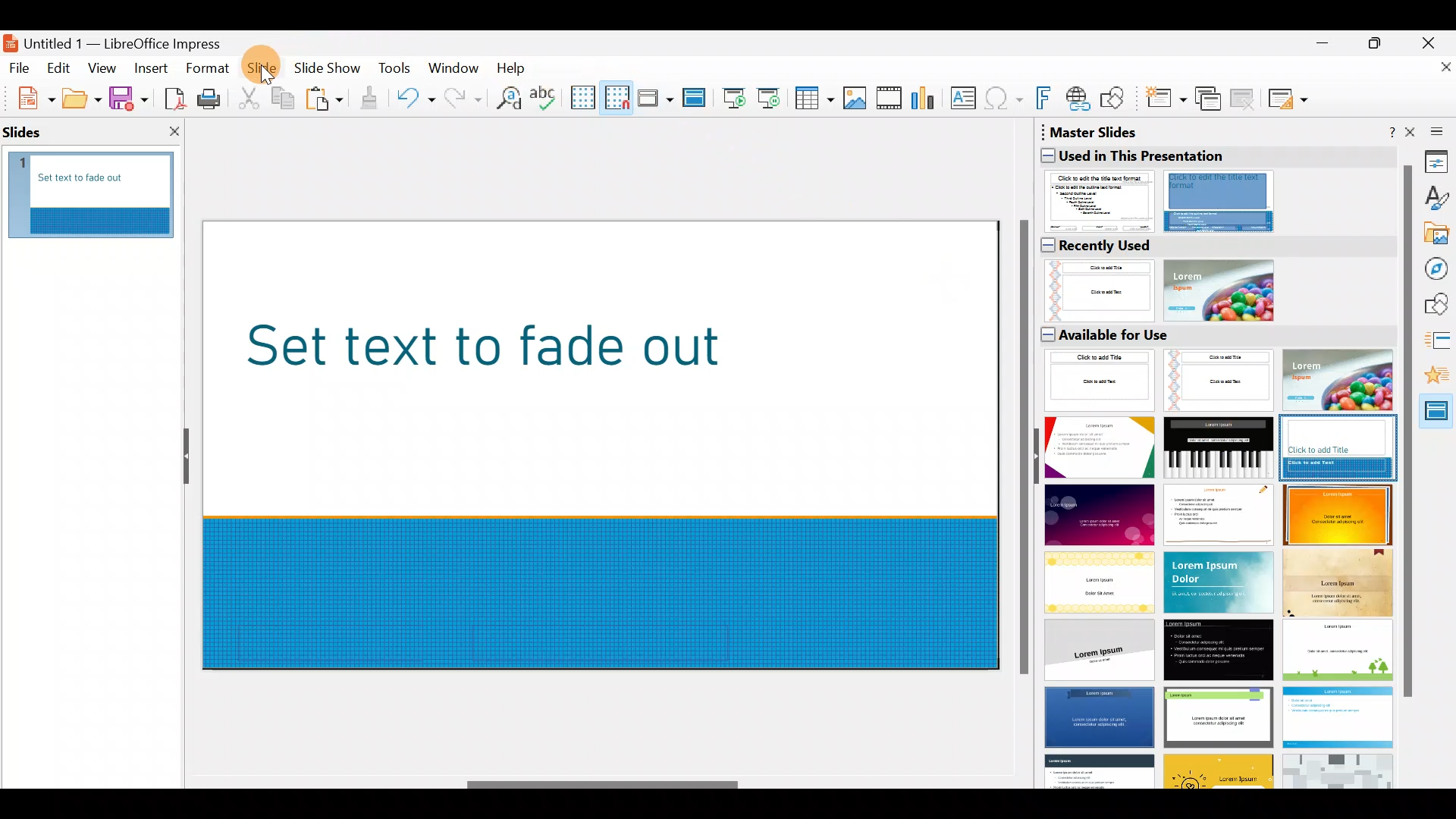 The width and height of the screenshot is (1456, 819). What do you see at coordinates (506, 98) in the screenshot?
I see `Find and replace` at bounding box center [506, 98].